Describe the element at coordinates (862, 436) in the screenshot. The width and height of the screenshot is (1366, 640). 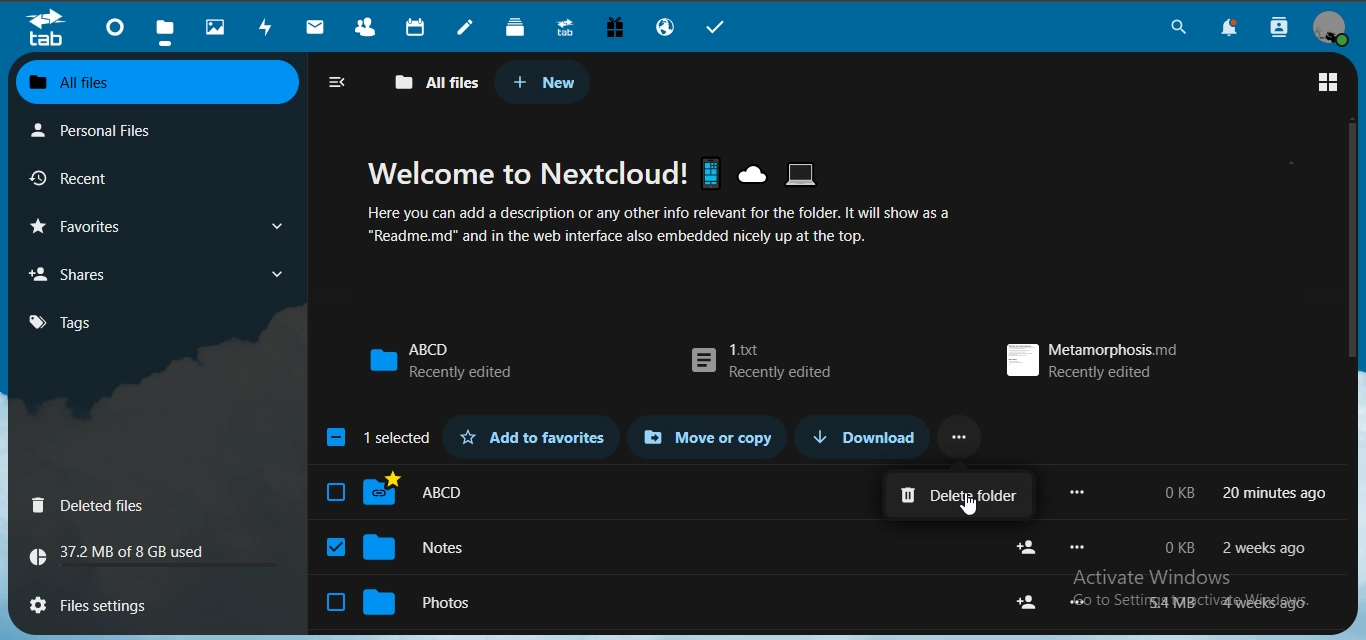
I see `download` at that location.